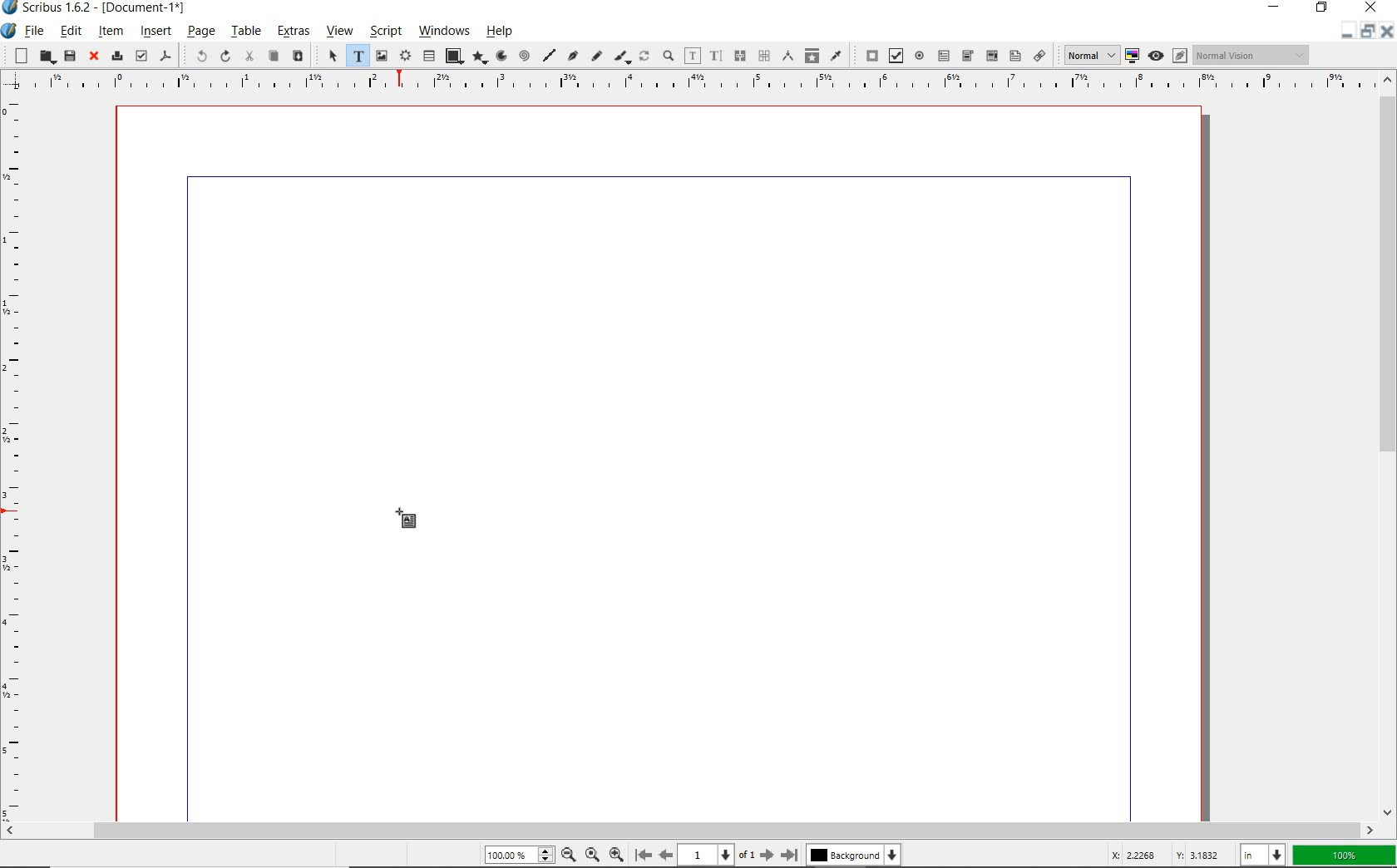 This screenshot has height=868, width=1397. I want to click on Vertical page margin, so click(683, 83).